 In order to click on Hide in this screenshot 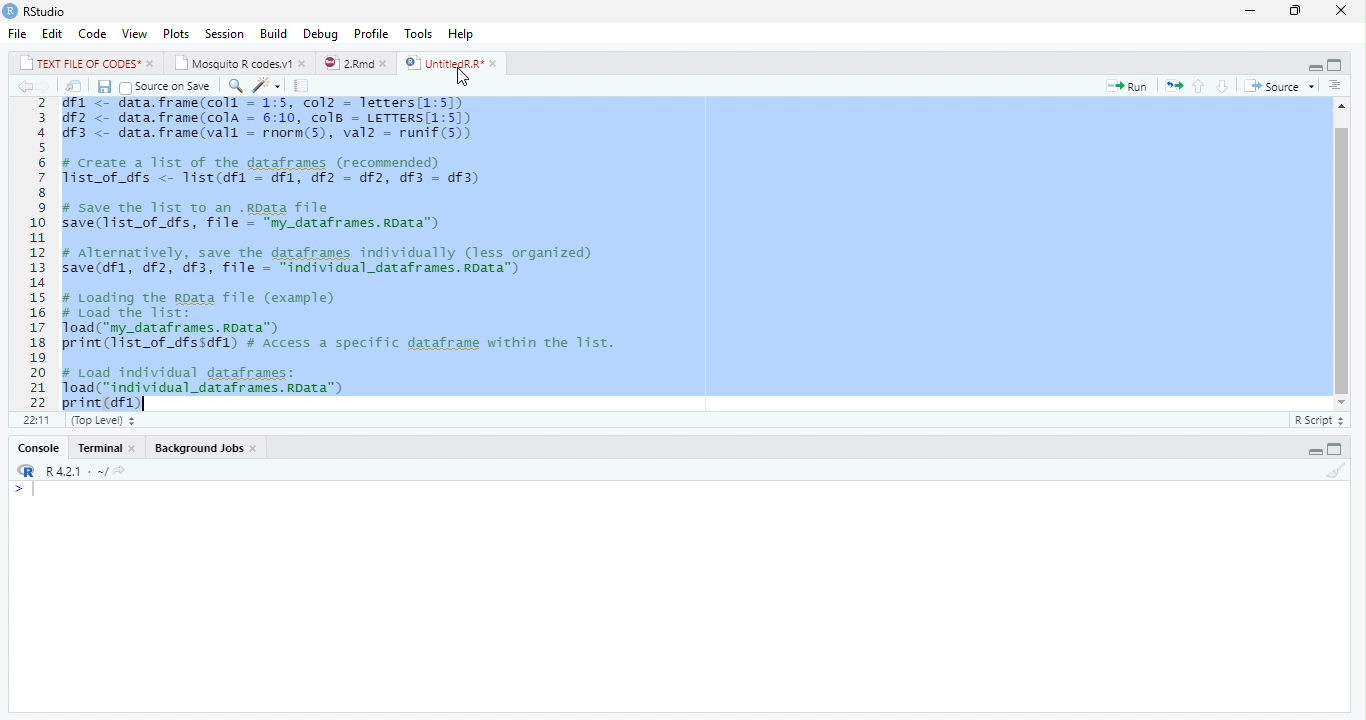, I will do `click(1314, 449)`.